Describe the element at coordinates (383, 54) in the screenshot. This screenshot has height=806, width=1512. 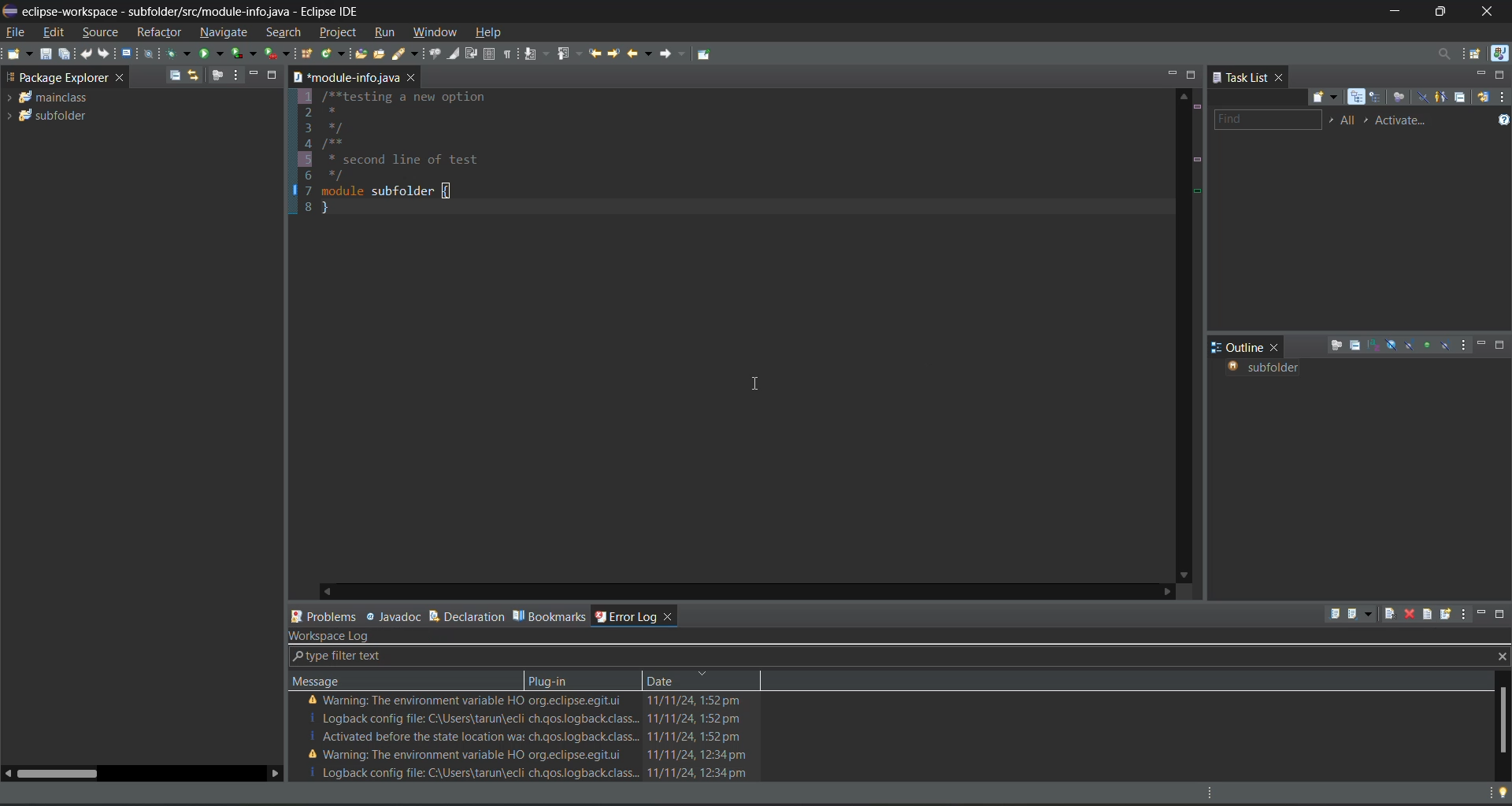
I see `open task` at that location.